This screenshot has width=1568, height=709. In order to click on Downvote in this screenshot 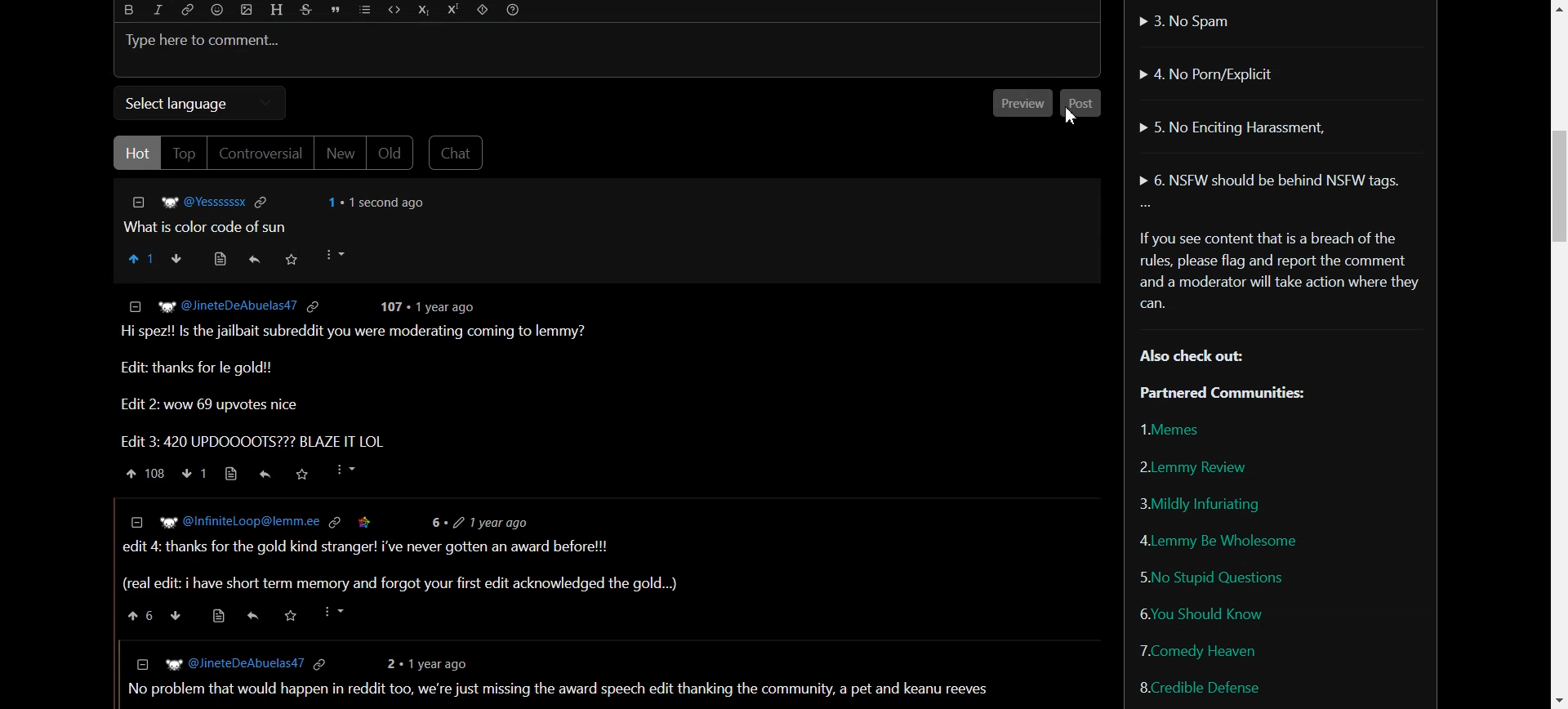, I will do `click(177, 258)`.